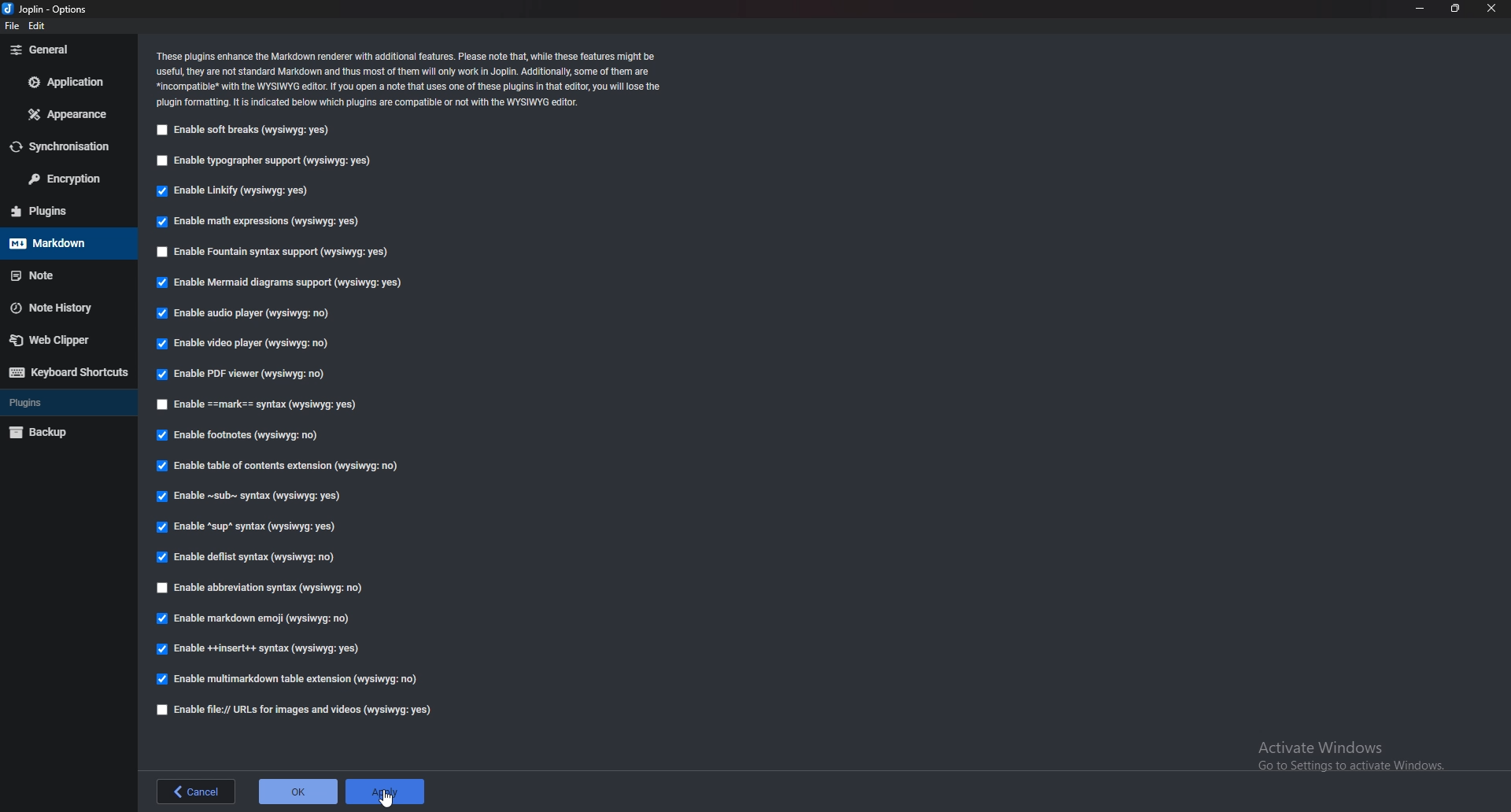 This screenshot has height=812, width=1511. What do you see at coordinates (270, 162) in the screenshot?
I see `Enable typographer support (wysiwyg:yes)` at bounding box center [270, 162].